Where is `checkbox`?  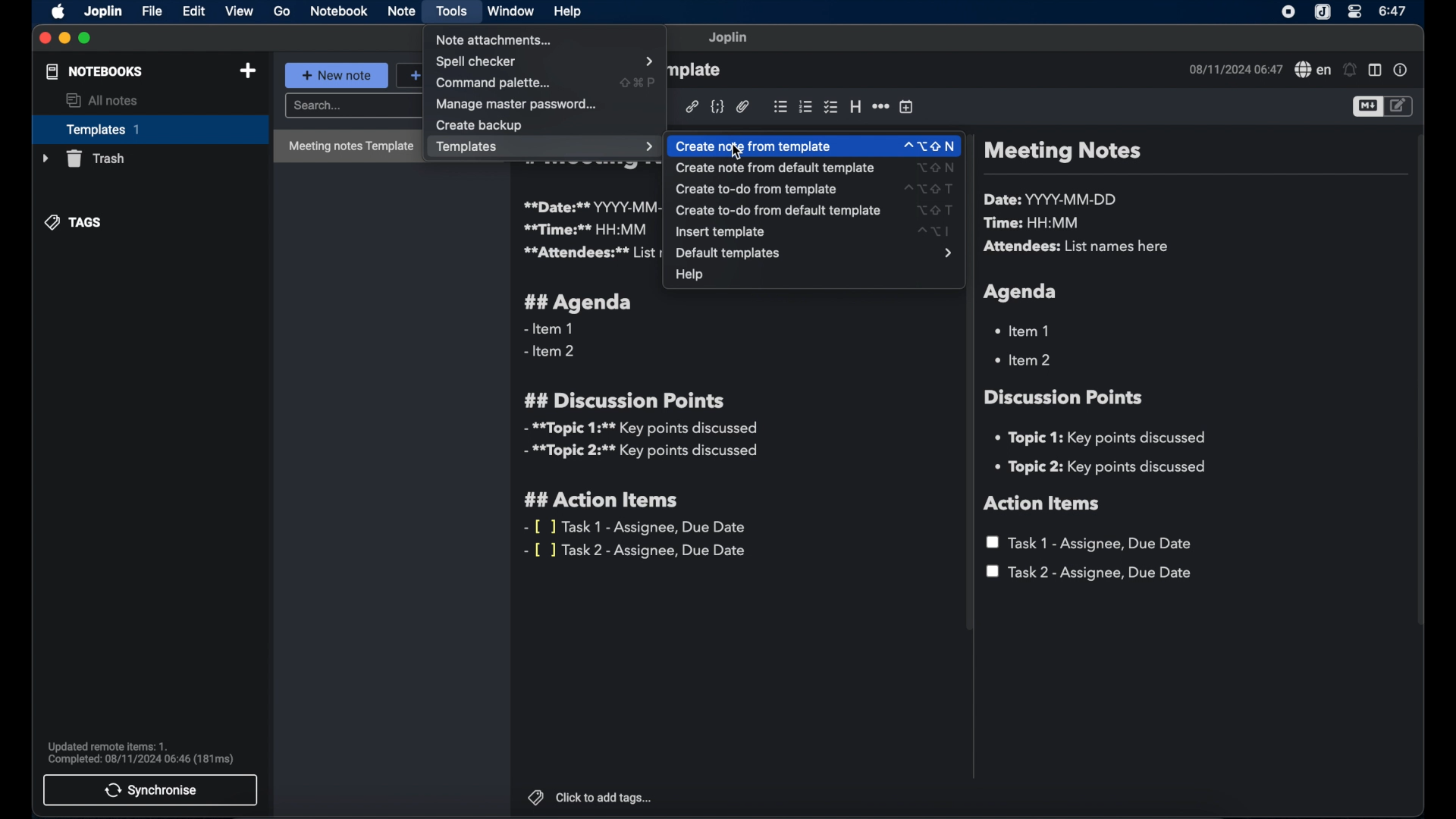
checkbox is located at coordinates (830, 107).